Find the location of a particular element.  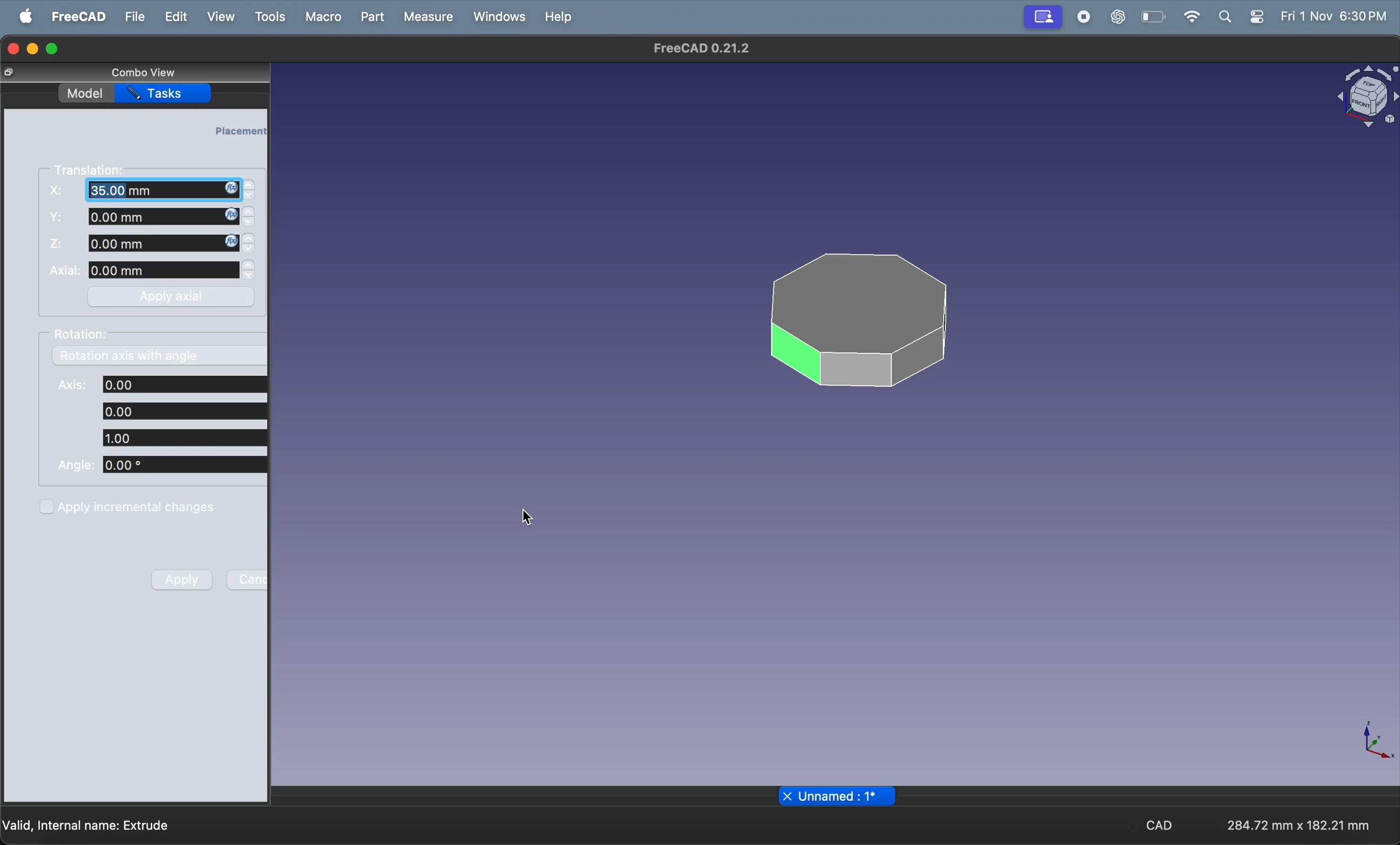

Angle: 0.00 ° is located at coordinates (160, 466).